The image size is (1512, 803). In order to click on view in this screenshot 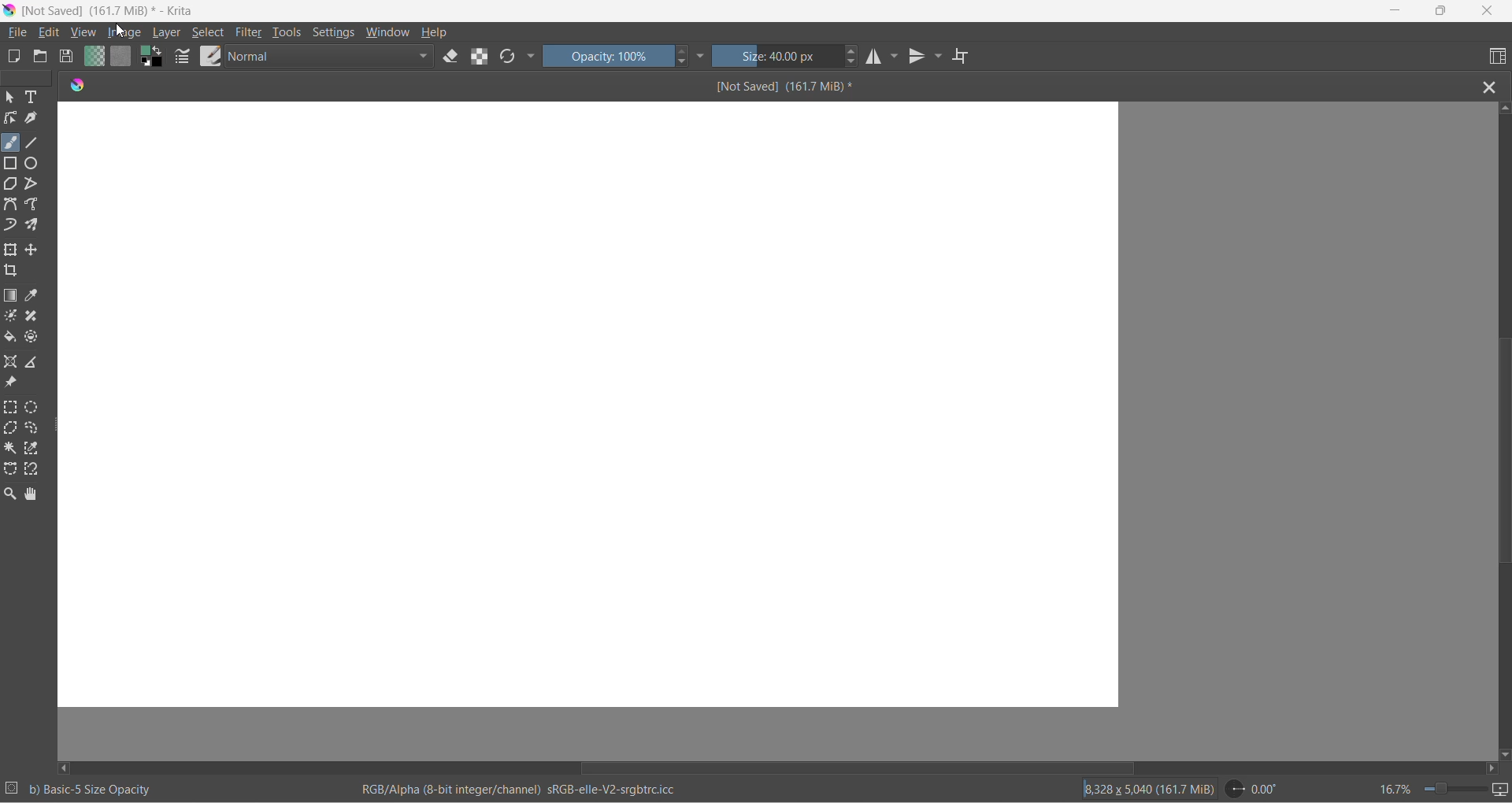, I will do `click(84, 34)`.